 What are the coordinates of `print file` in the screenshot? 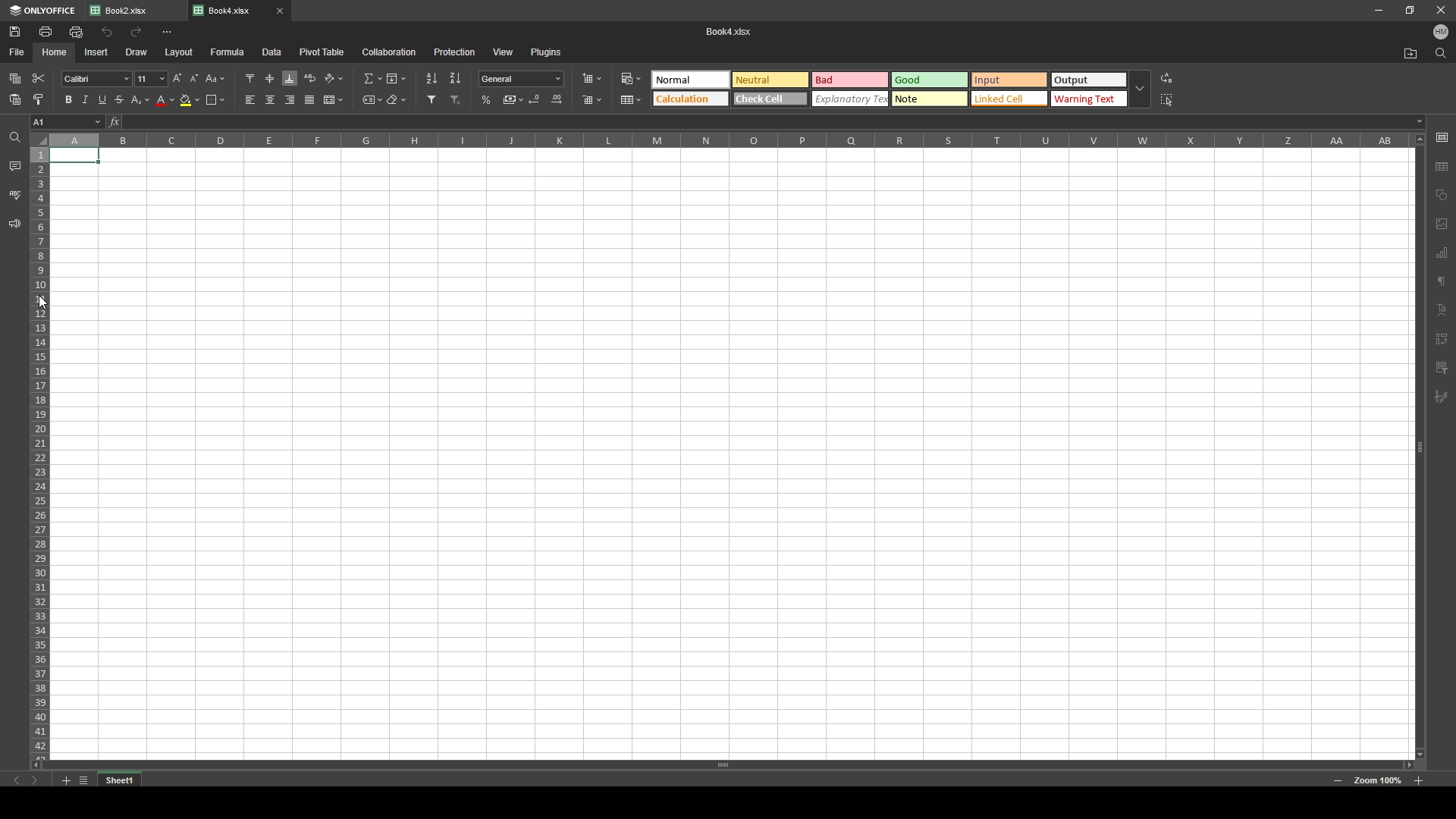 It's located at (46, 31).